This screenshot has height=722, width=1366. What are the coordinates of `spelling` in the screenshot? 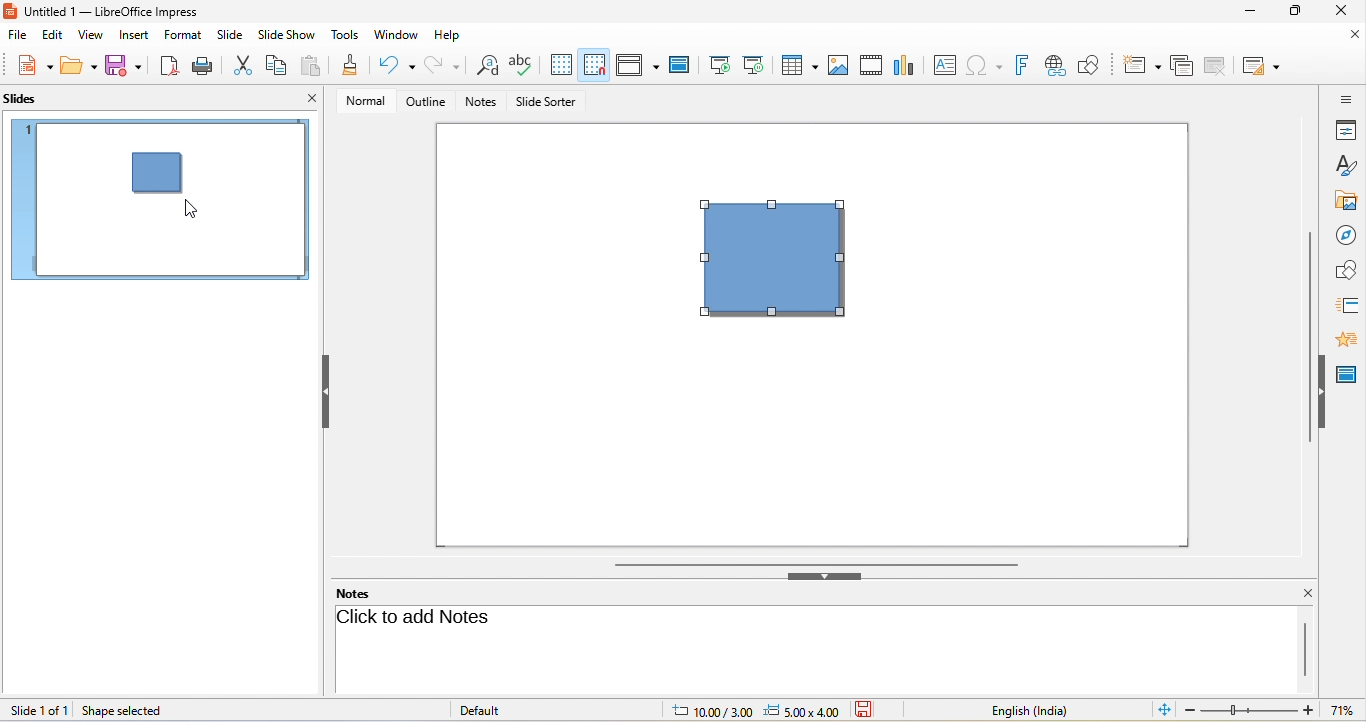 It's located at (522, 63).